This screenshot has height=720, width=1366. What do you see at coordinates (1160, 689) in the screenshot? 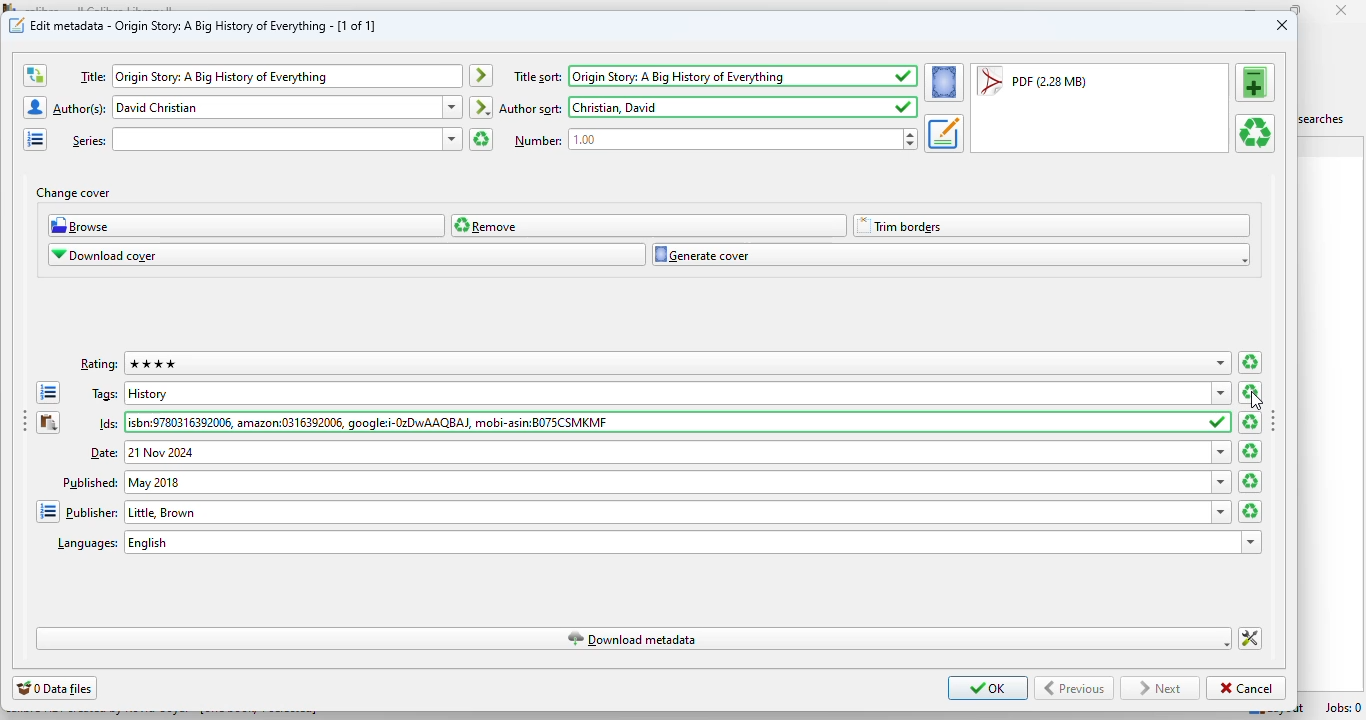
I see `next` at bounding box center [1160, 689].